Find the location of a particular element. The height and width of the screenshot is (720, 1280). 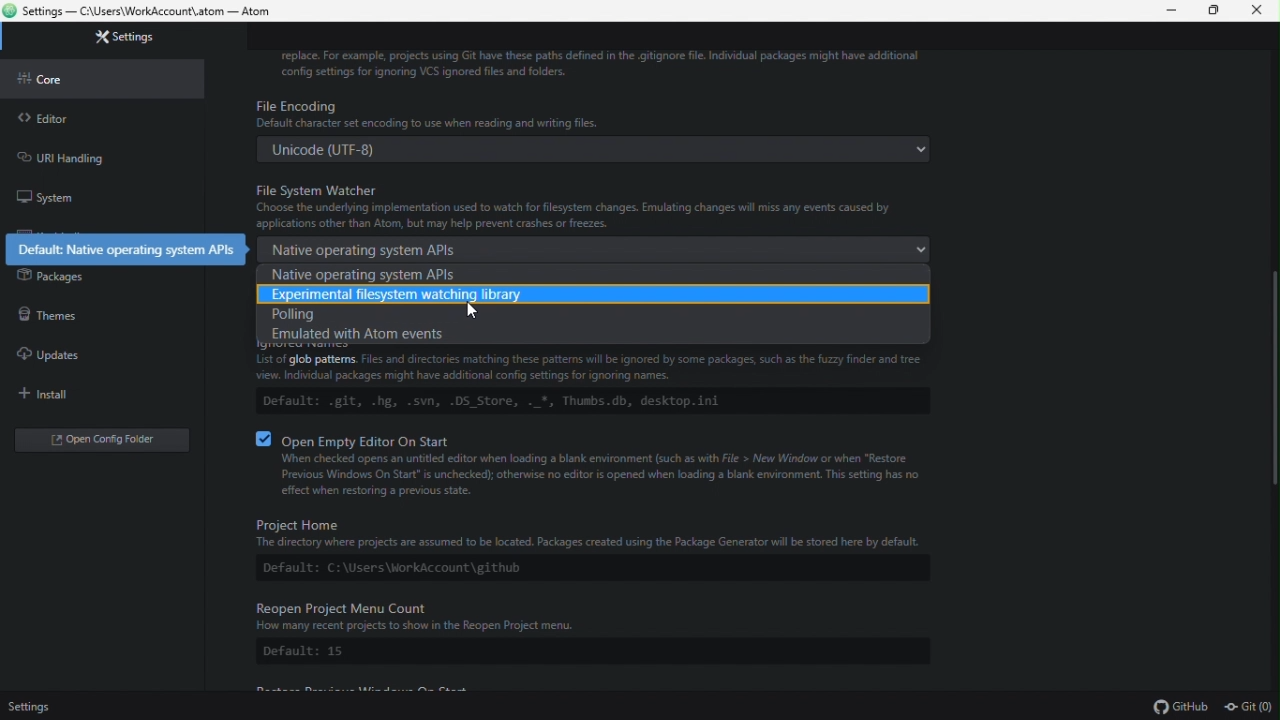

Native operating system API is located at coordinates (599, 249).